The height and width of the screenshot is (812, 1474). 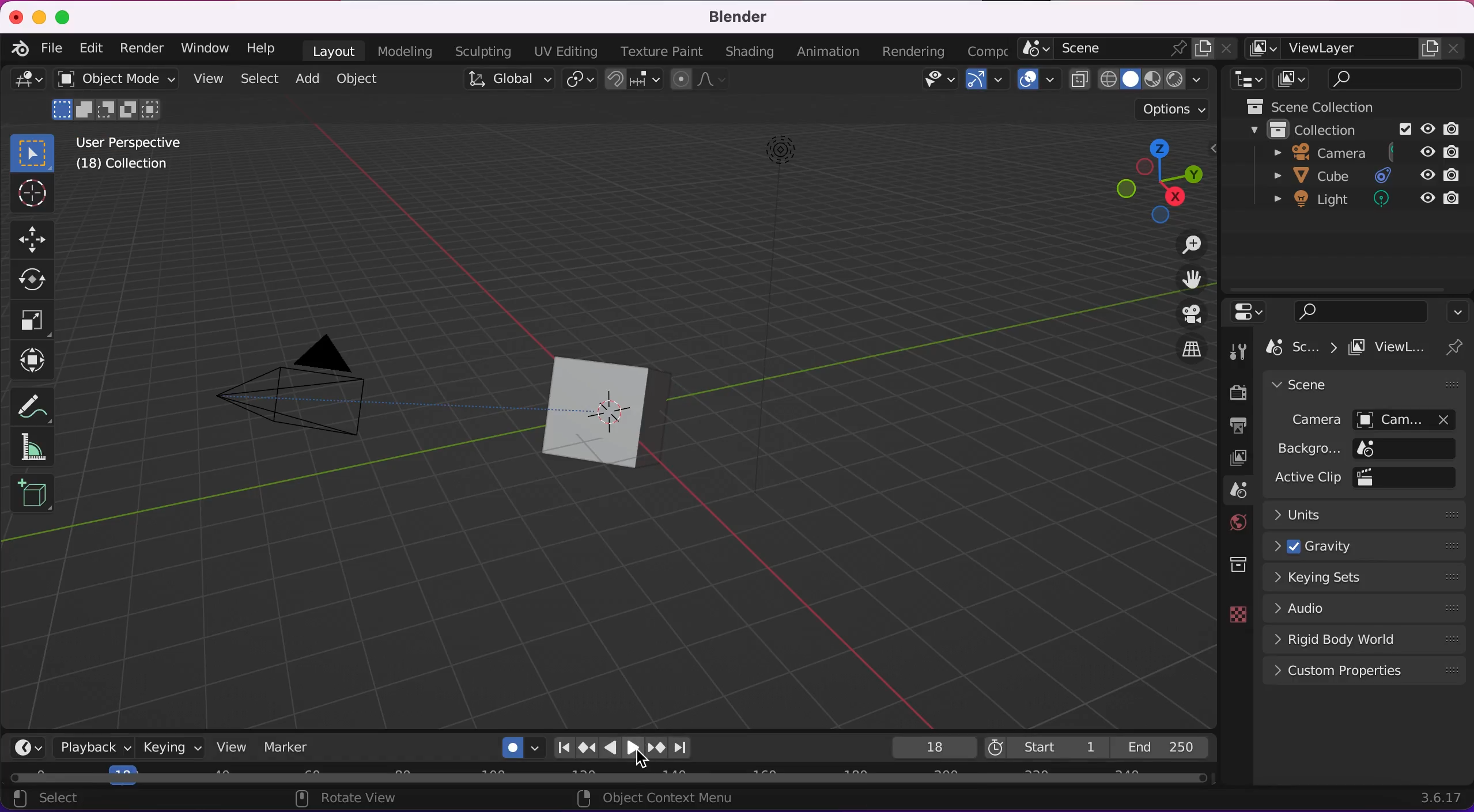 I want to click on editor type, so click(x=31, y=747).